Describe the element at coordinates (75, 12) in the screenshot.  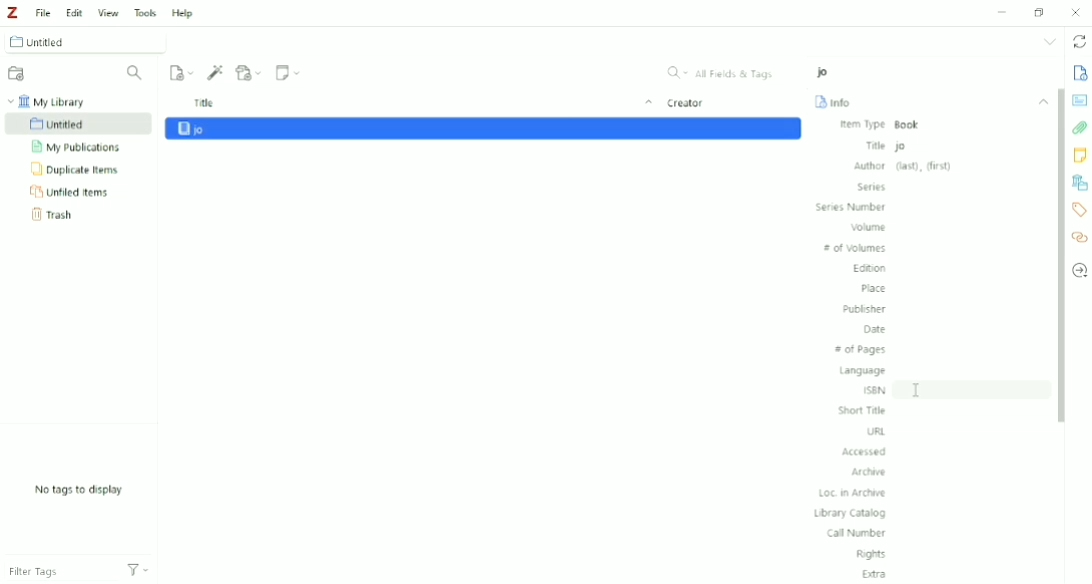
I see `Edit` at that location.